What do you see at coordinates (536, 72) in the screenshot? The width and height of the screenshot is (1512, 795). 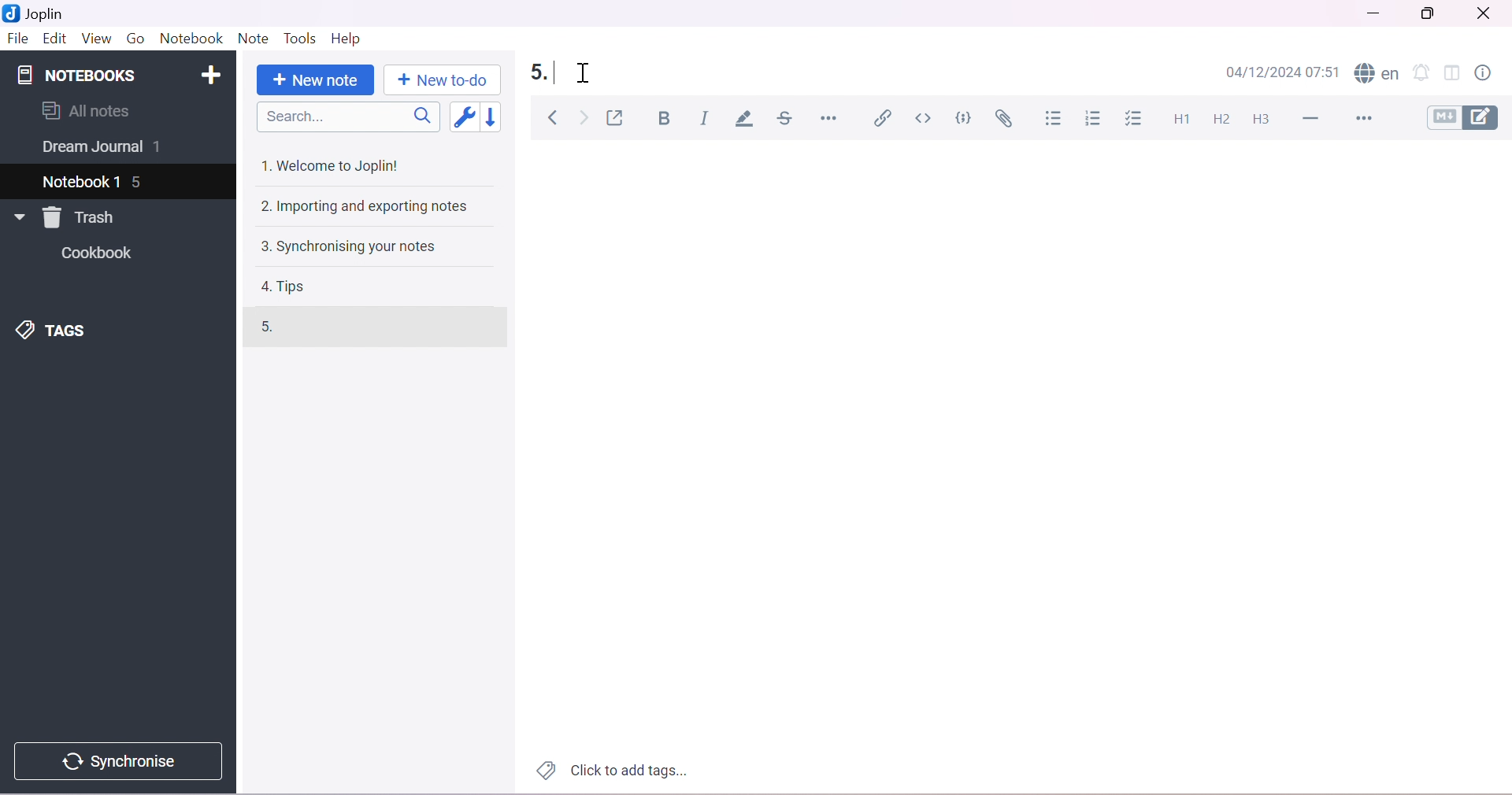 I see `5. ` at bounding box center [536, 72].